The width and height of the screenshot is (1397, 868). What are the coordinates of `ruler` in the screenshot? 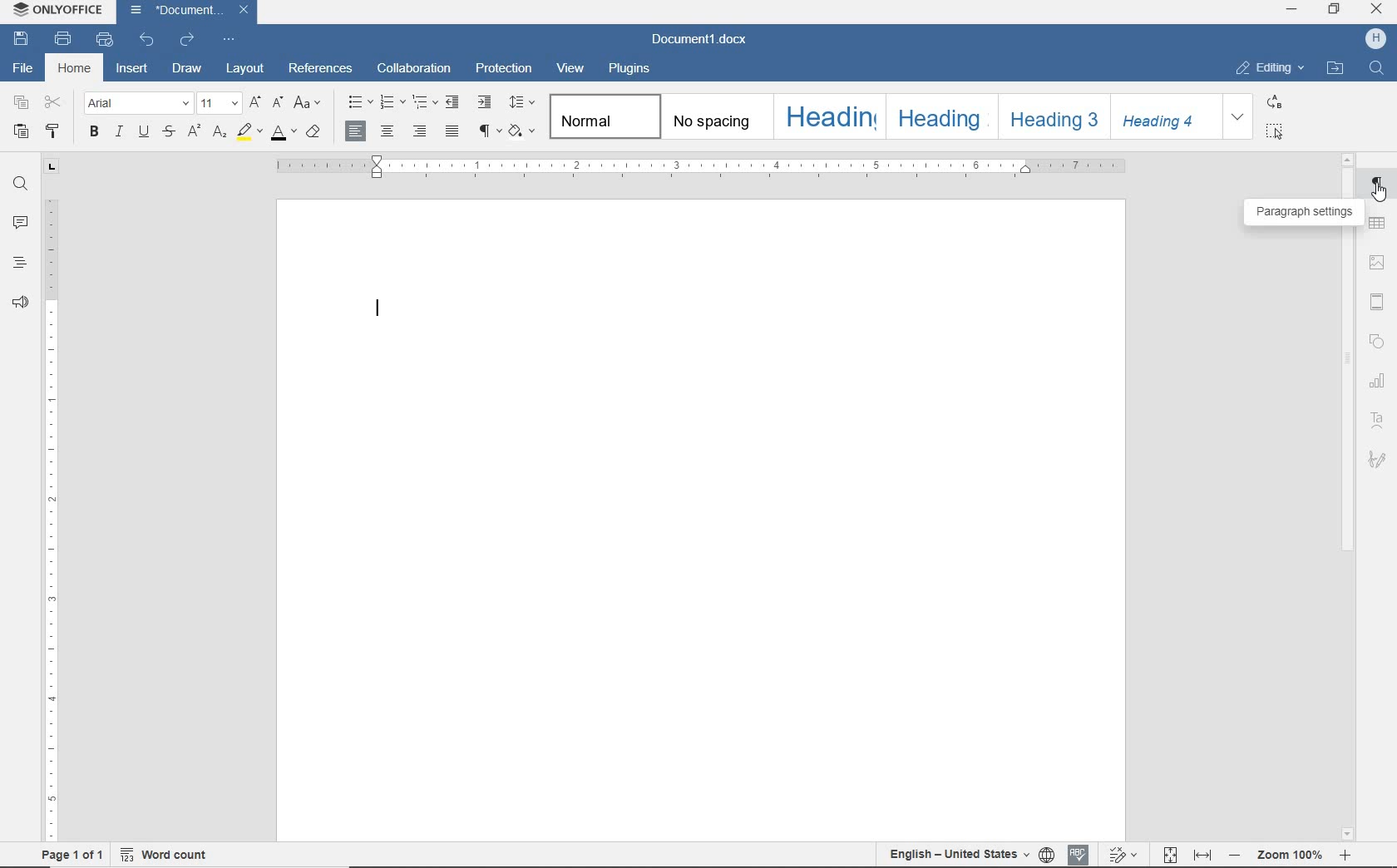 It's located at (52, 501).